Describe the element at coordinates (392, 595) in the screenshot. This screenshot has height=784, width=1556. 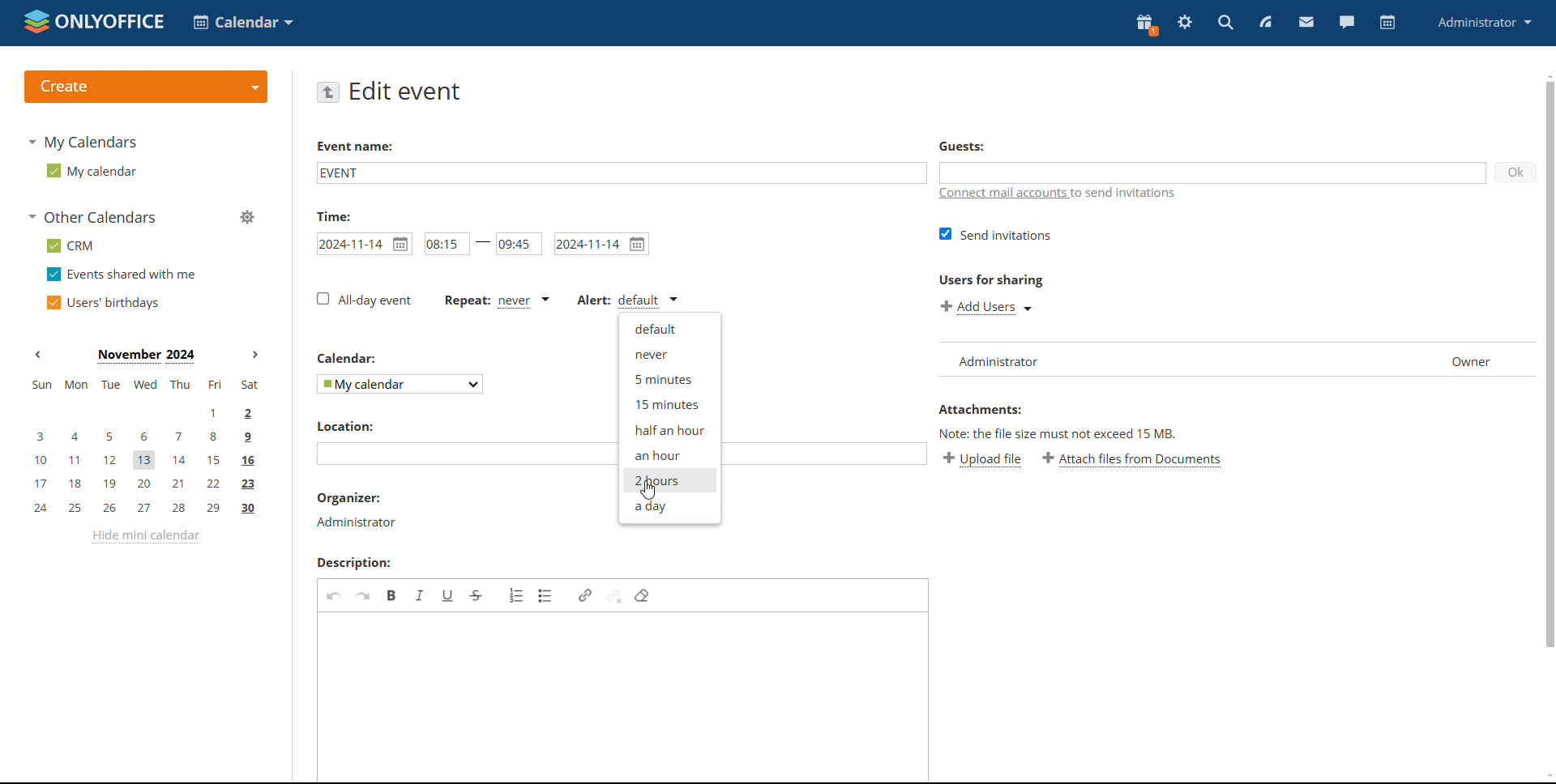
I see `bold` at that location.